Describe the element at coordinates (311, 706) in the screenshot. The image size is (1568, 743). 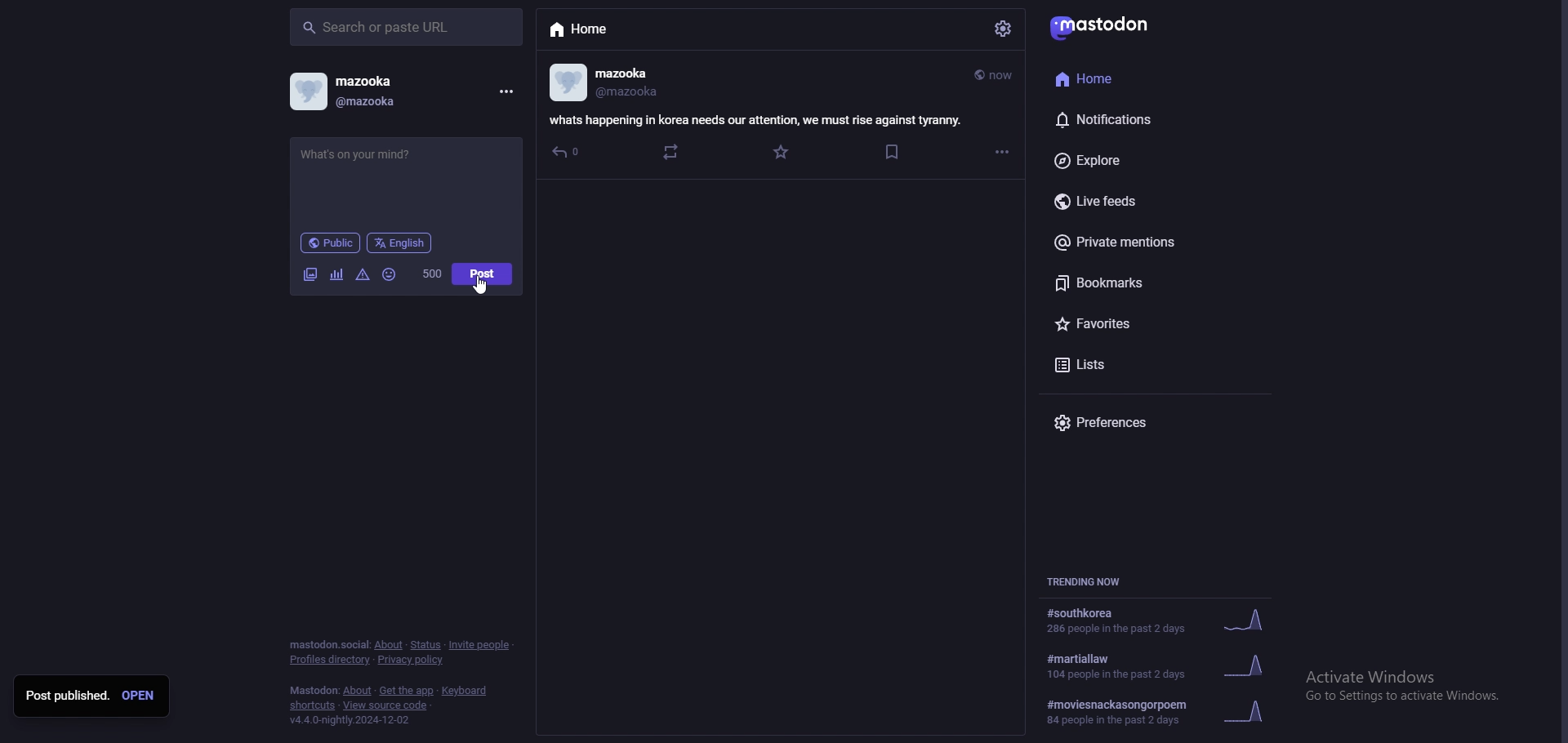
I see `shortcuts` at that location.